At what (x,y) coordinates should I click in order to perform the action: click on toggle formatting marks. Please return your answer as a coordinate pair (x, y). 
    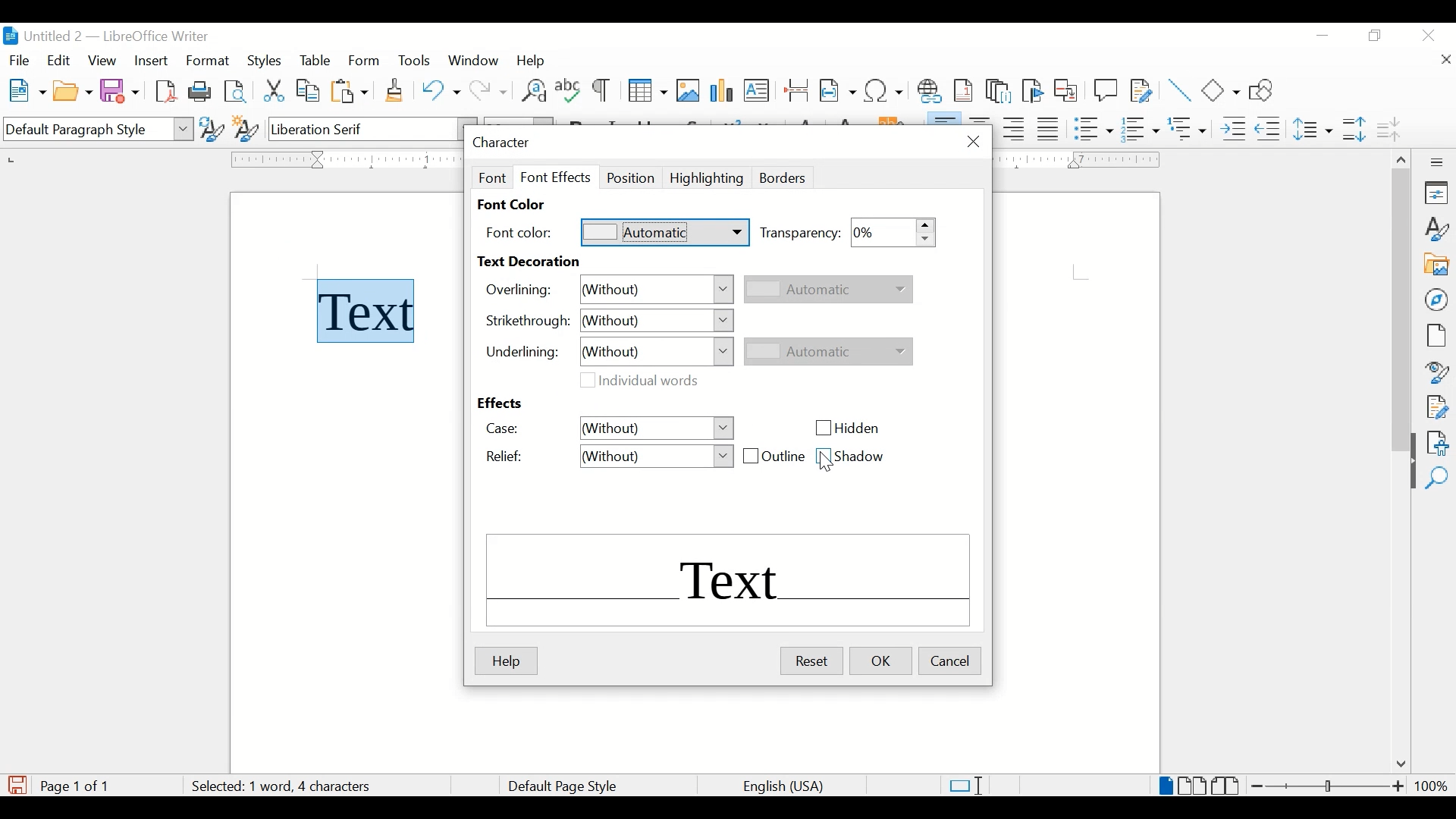
    Looking at the image, I should click on (603, 92).